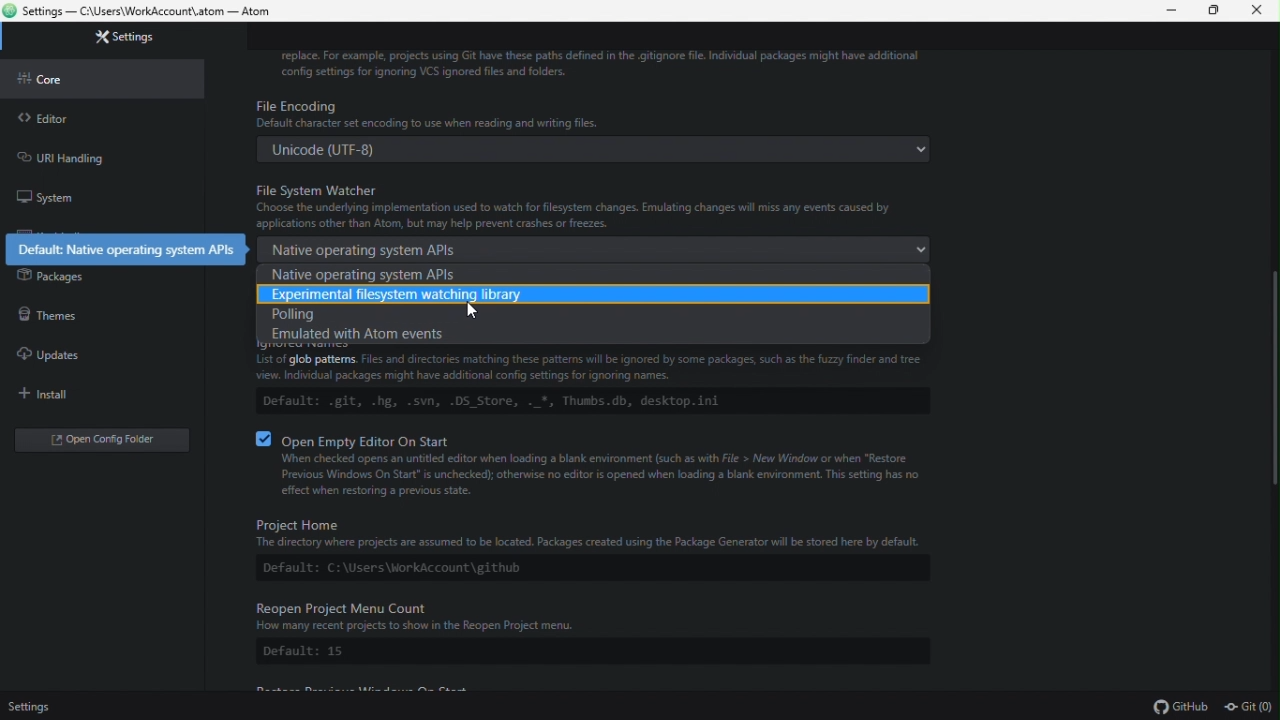 This screenshot has width=1280, height=720. Describe the element at coordinates (1172, 10) in the screenshot. I see `Minimize` at that location.